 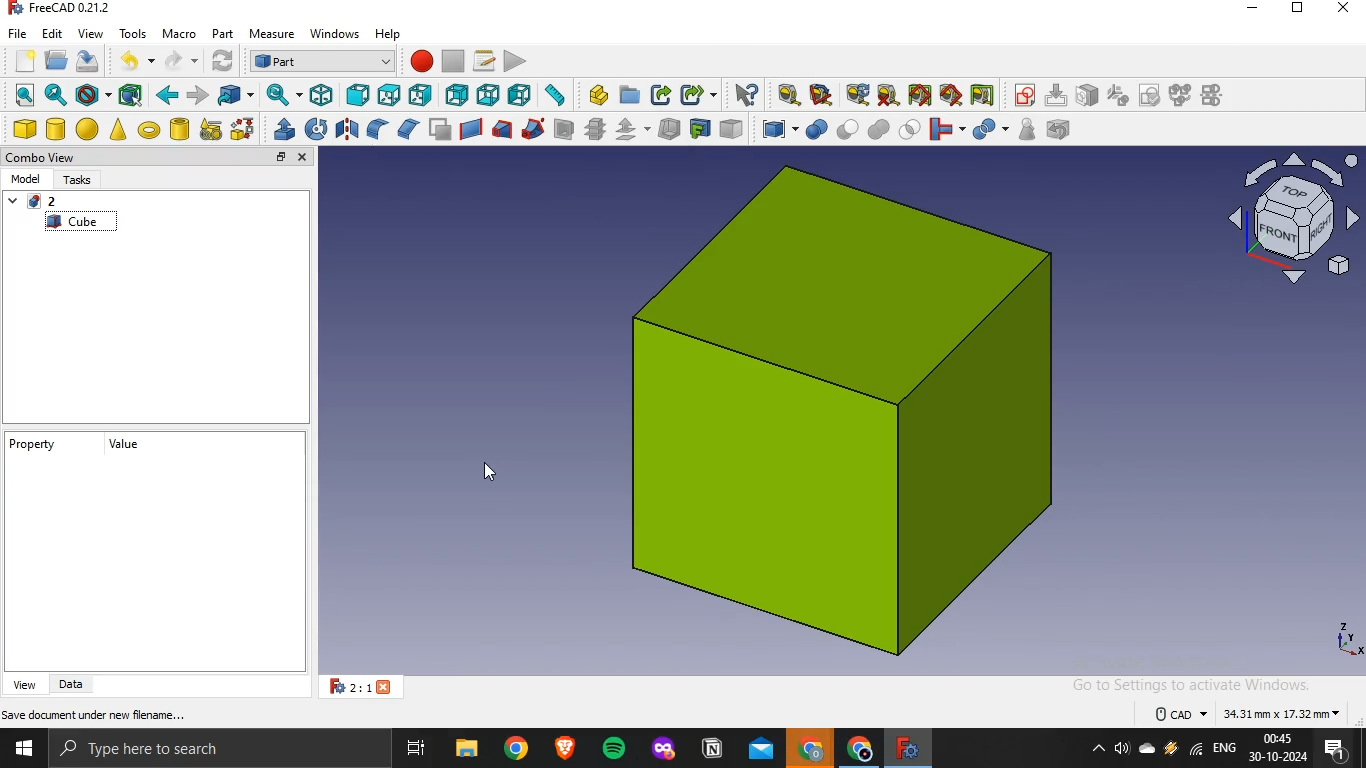 I want to click on time and date, so click(x=1277, y=751).